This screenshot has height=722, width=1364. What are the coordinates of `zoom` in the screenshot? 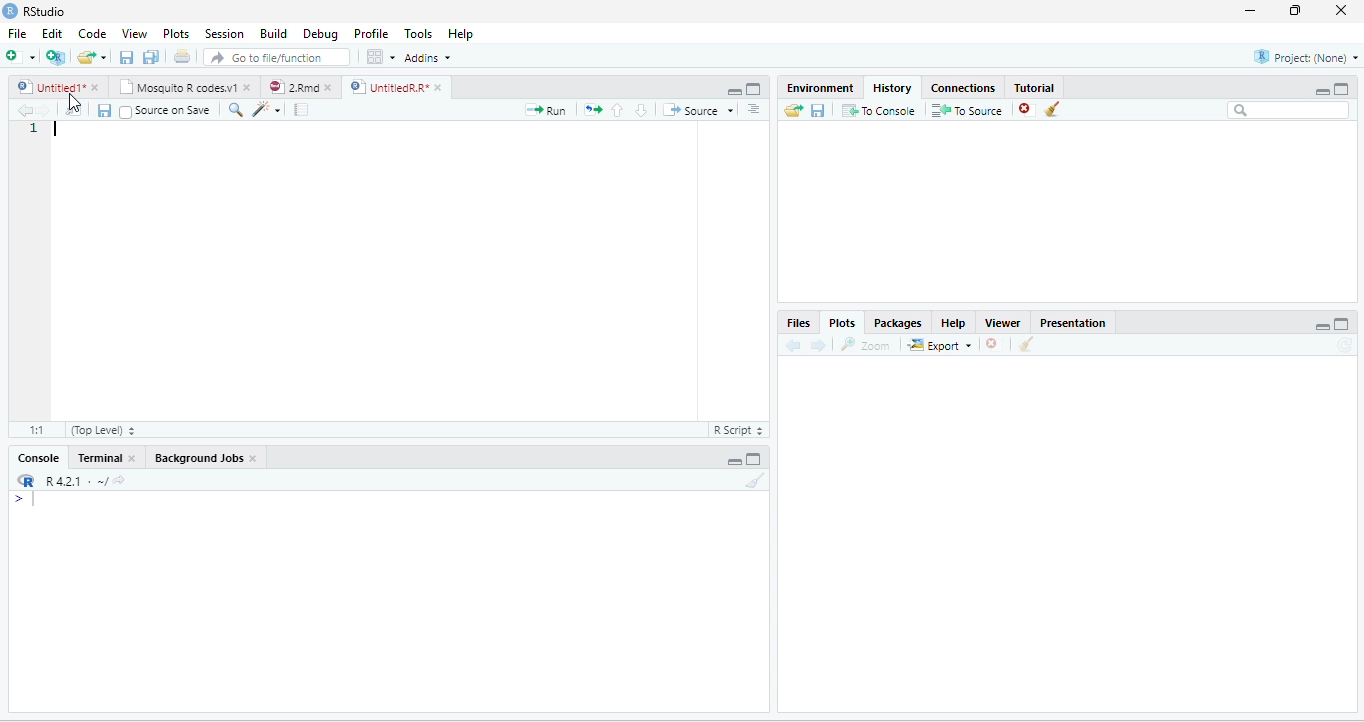 It's located at (866, 344).